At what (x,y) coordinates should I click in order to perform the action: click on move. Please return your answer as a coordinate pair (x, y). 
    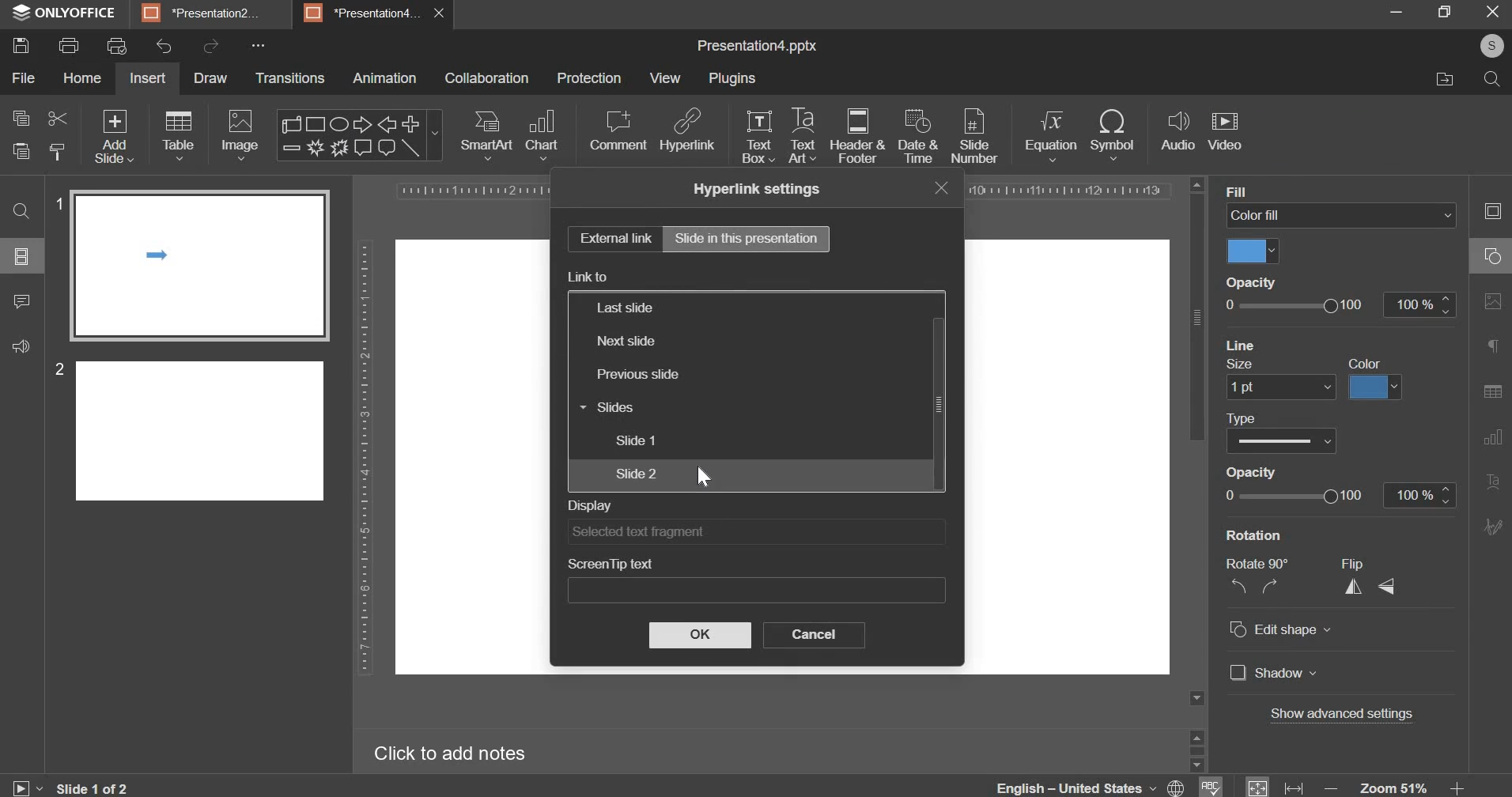
    Looking at the image, I should click on (1441, 81).